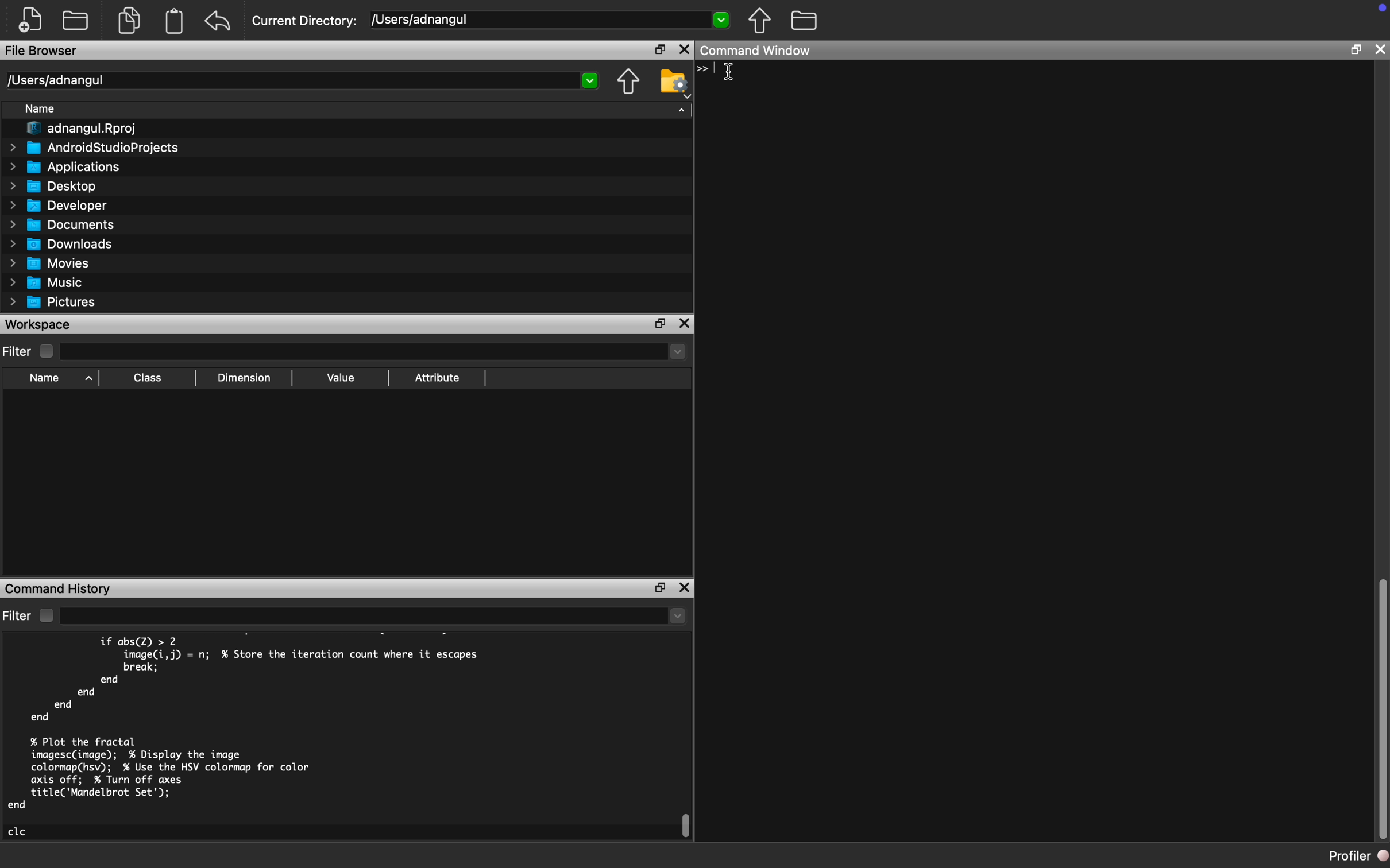 This screenshot has width=1390, height=868. Describe the element at coordinates (17, 351) in the screenshot. I see `Filter` at that location.